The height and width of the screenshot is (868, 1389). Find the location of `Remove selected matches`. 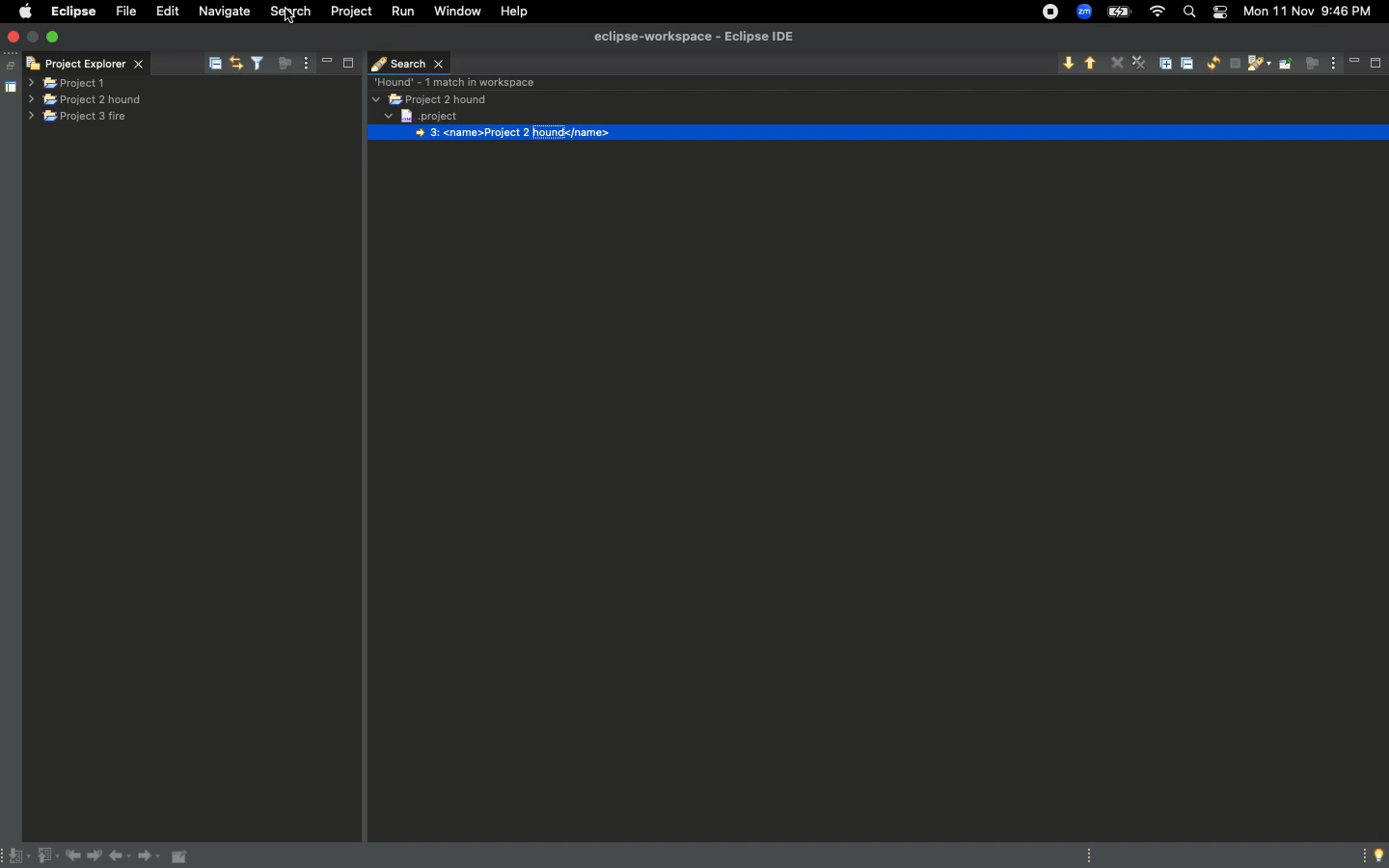

Remove selected matches is located at coordinates (1118, 62).